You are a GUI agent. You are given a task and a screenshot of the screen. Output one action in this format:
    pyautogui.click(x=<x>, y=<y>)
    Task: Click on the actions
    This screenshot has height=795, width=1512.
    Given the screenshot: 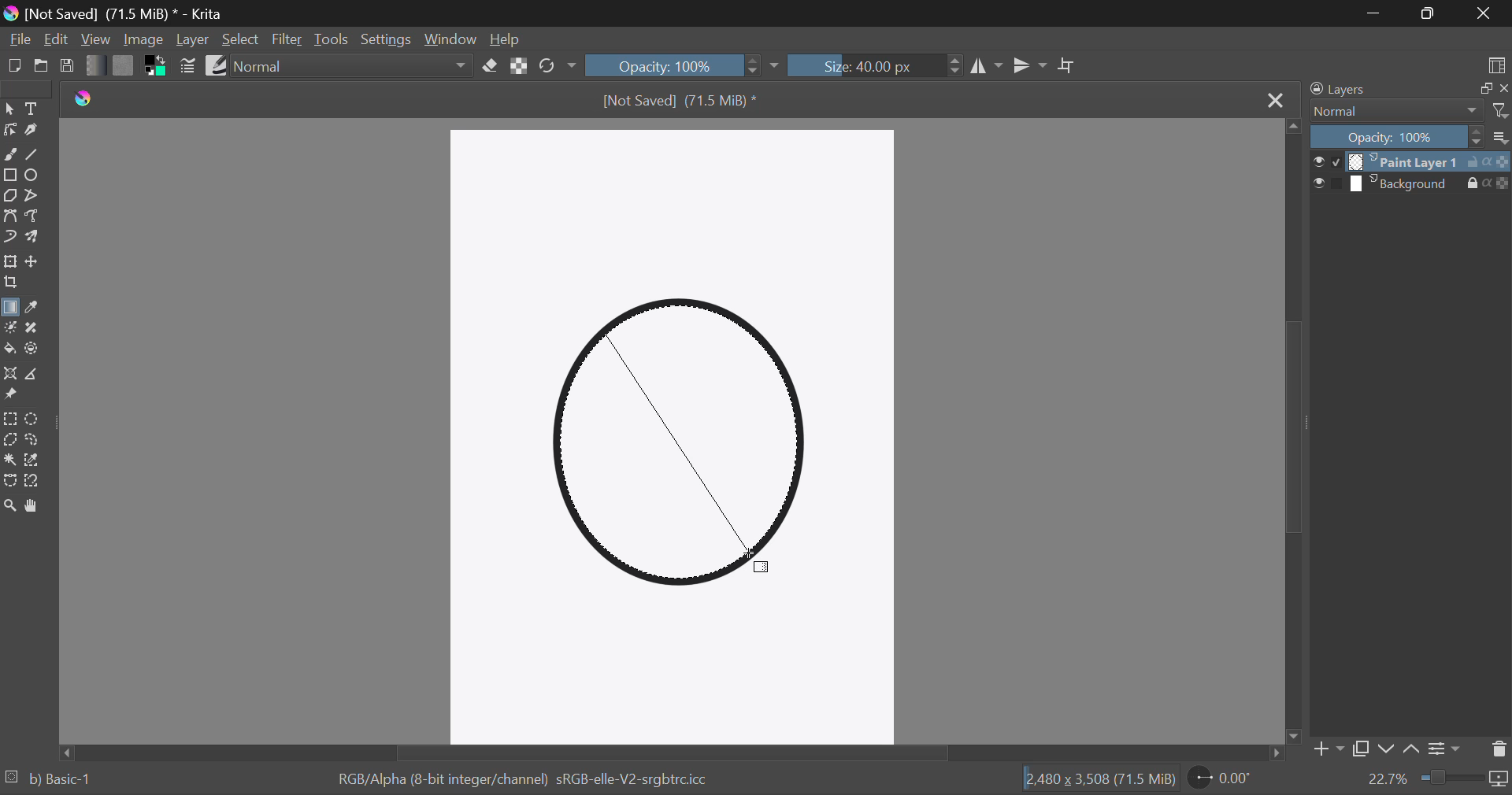 What is the action you would take?
    pyautogui.click(x=1488, y=183)
    